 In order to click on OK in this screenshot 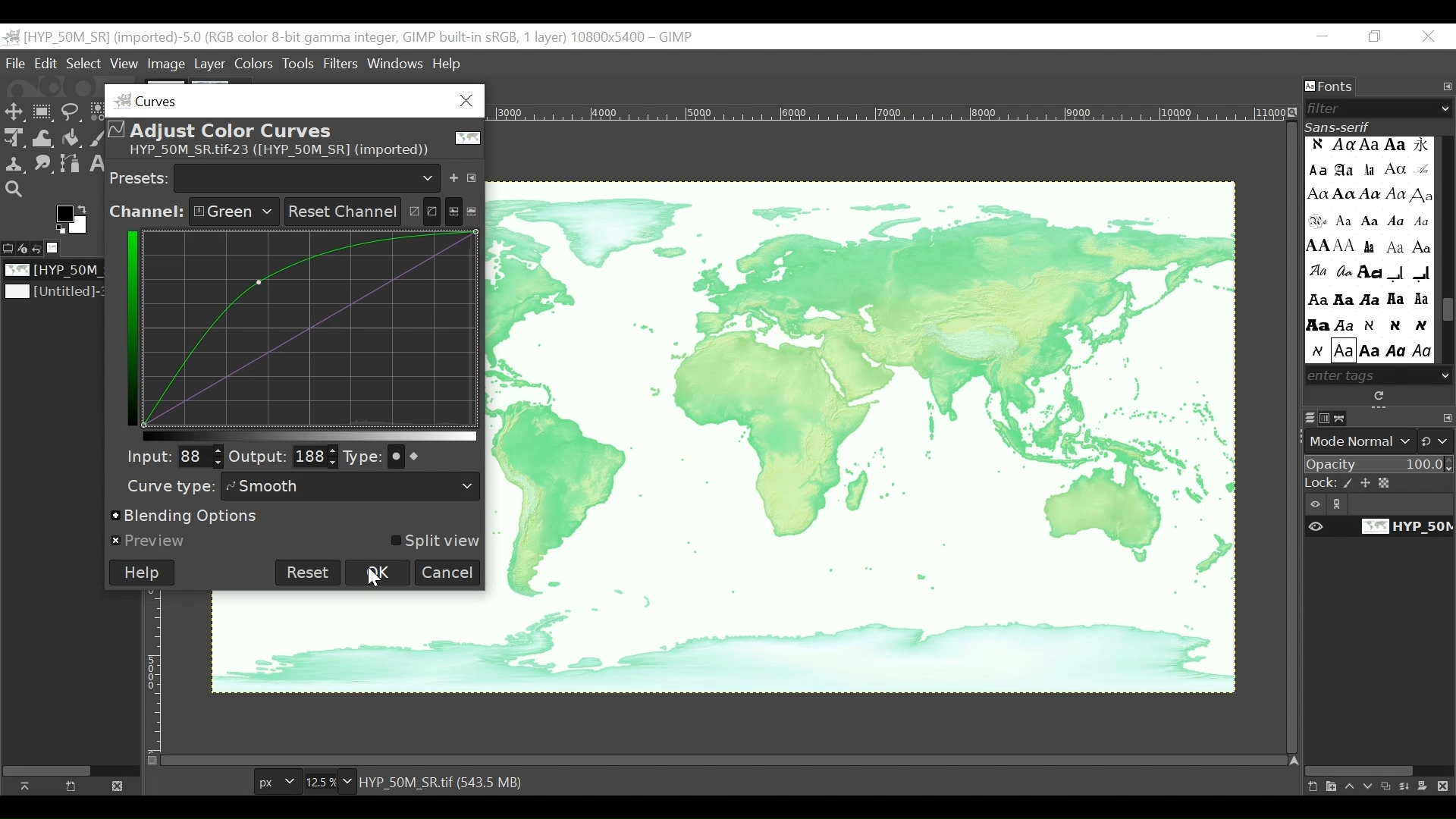, I will do `click(379, 572)`.